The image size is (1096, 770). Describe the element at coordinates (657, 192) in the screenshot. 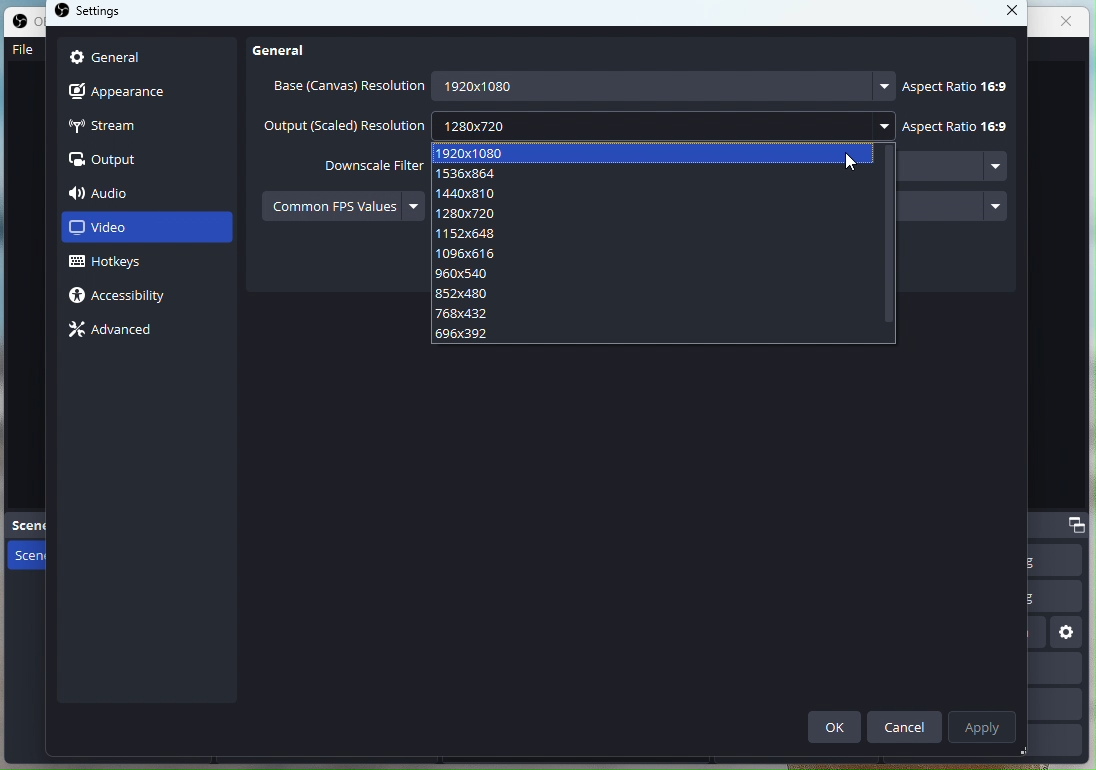

I see `1440x810` at that location.